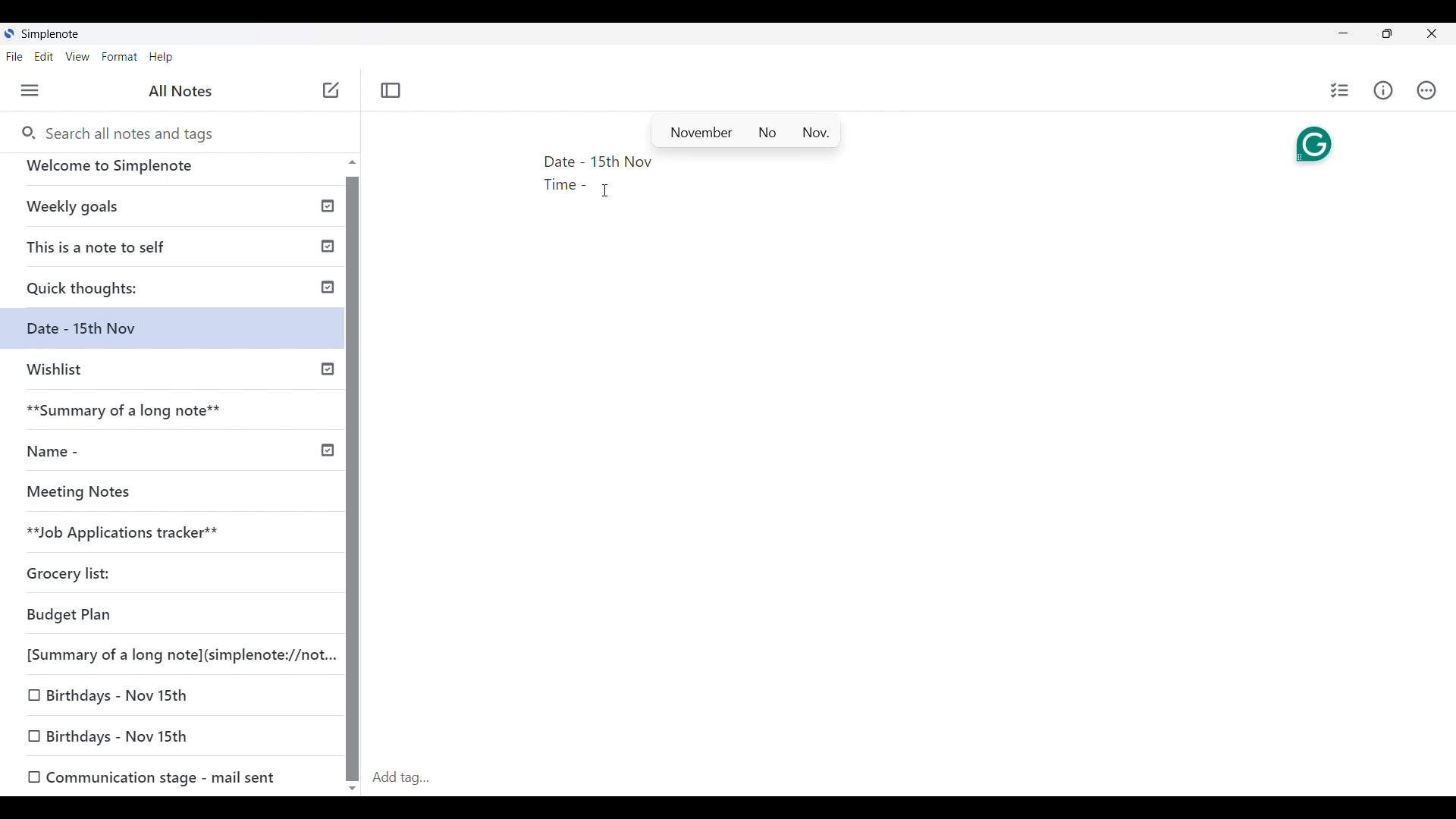 Image resolution: width=1456 pixels, height=819 pixels. What do you see at coordinates (124, 495) in the screenshot?
I see `Unpublished note` at bounding box center [124, 495].